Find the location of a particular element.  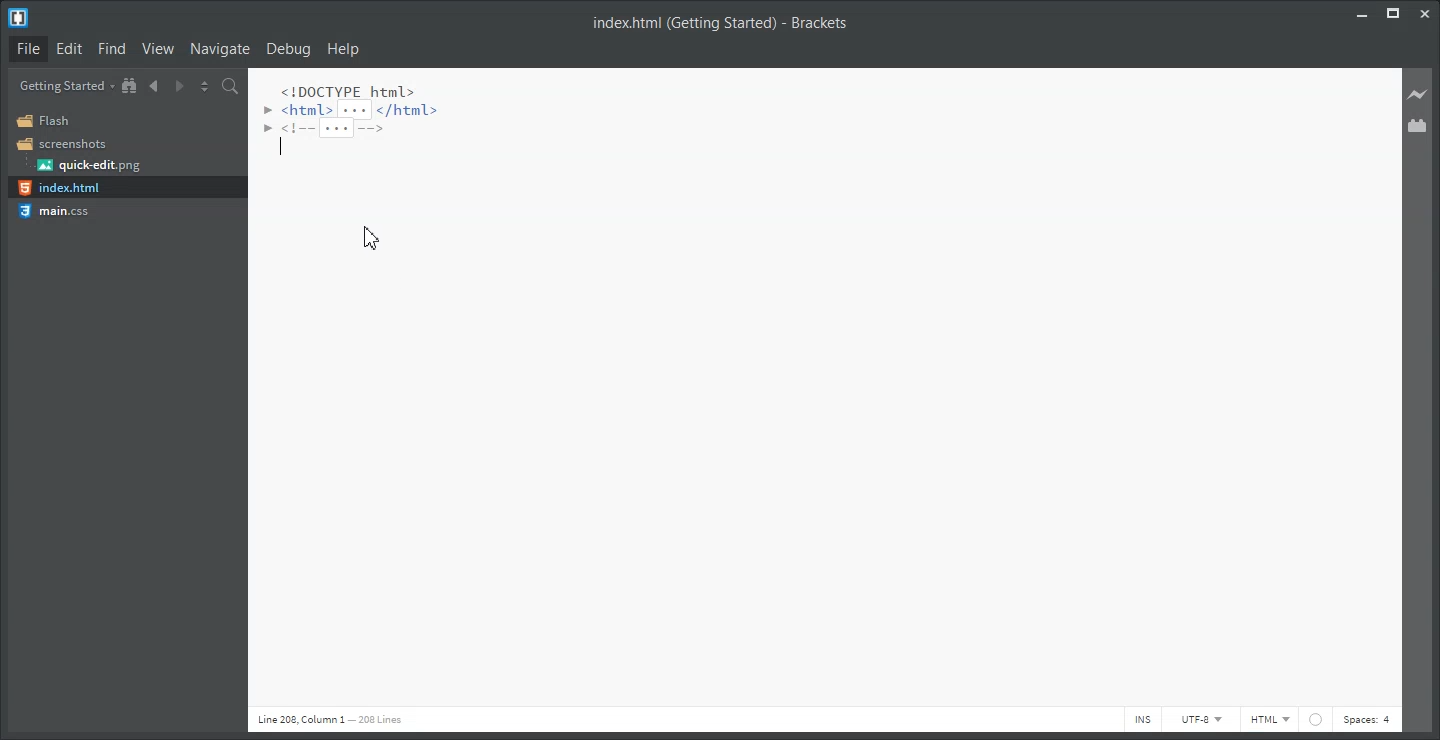

Live preview is located at coordinates (1417, 93).